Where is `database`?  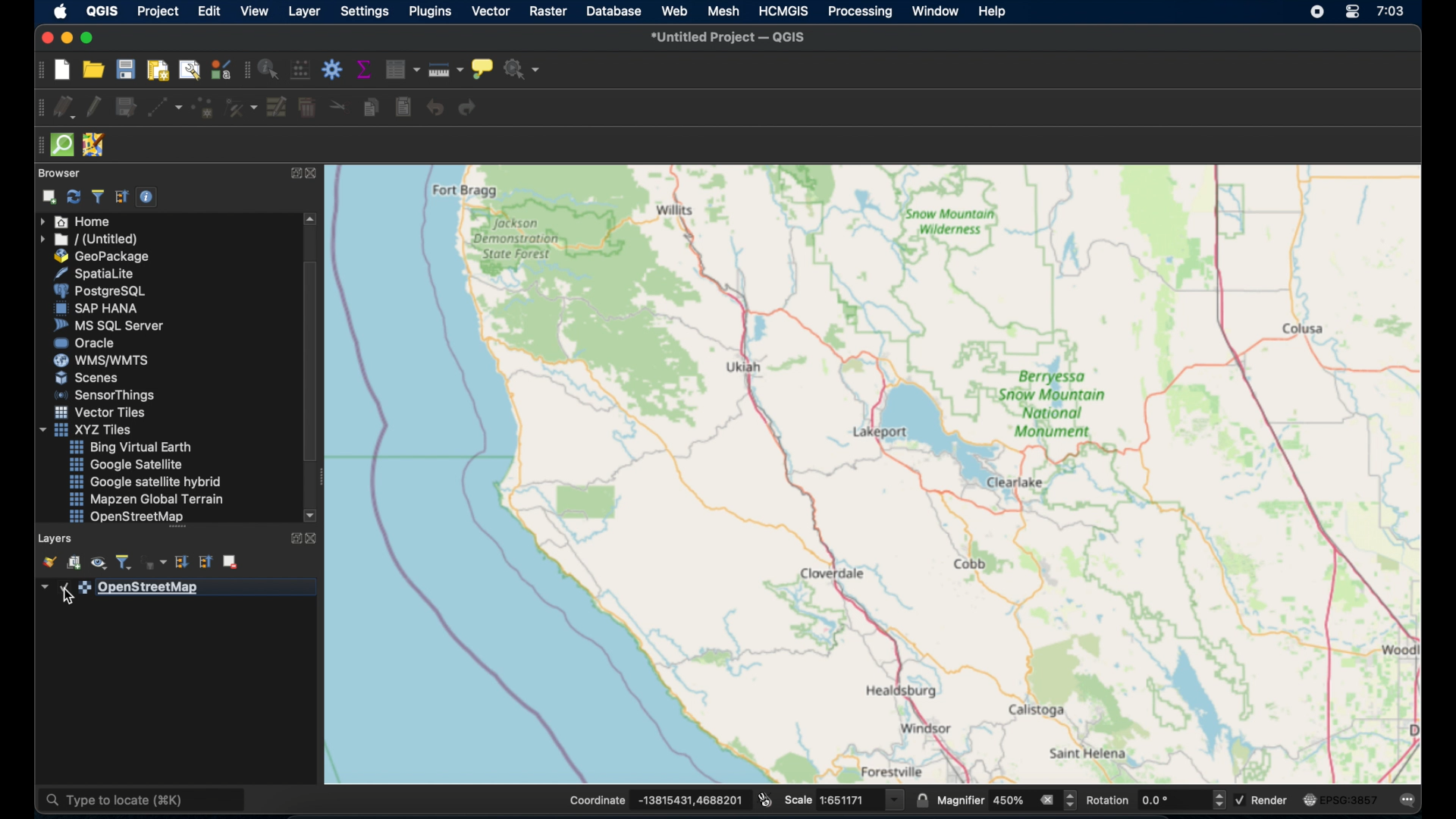
database is located at coordinates (613, 11).